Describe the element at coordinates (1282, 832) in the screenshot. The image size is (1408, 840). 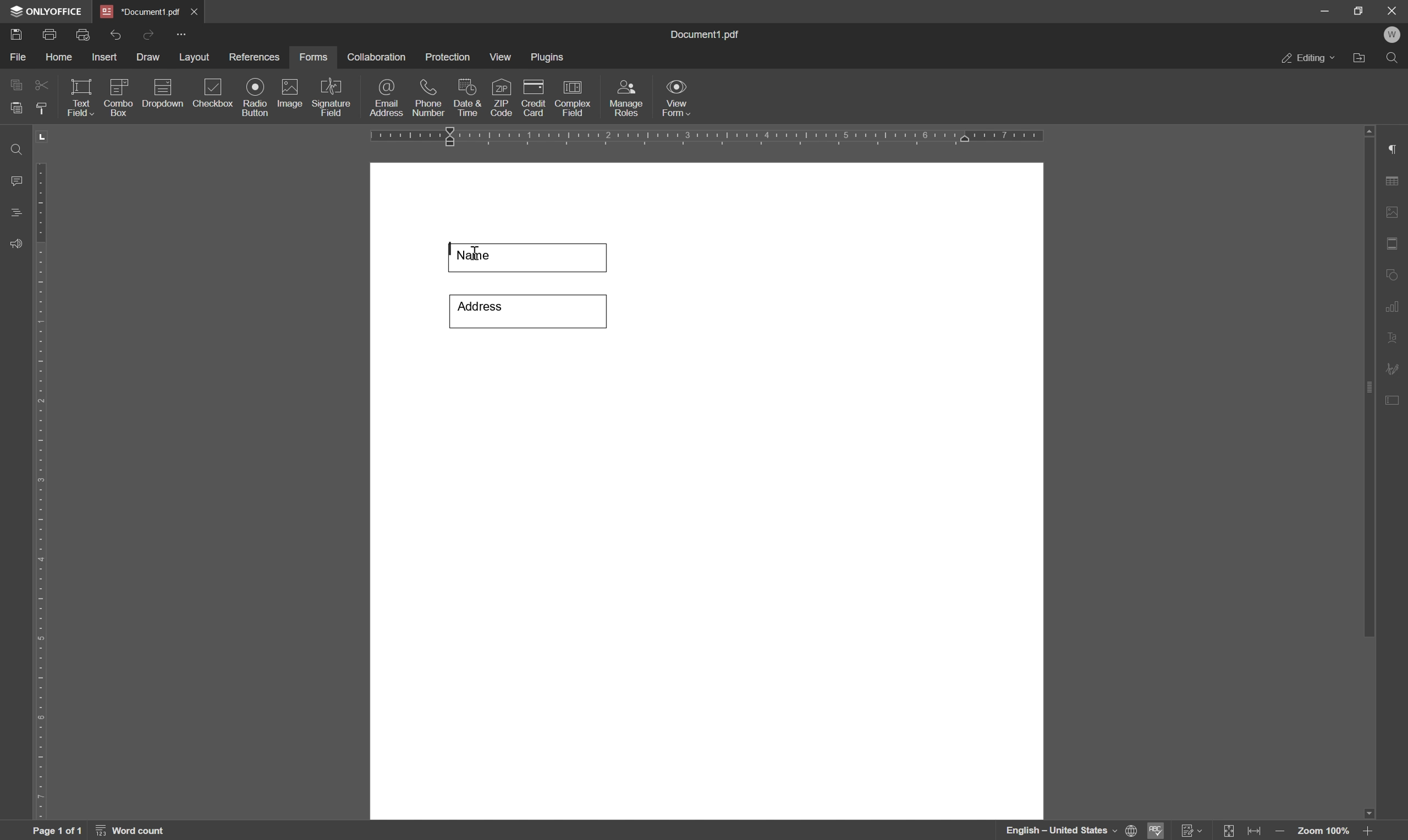
I see `zoom out` at that location.